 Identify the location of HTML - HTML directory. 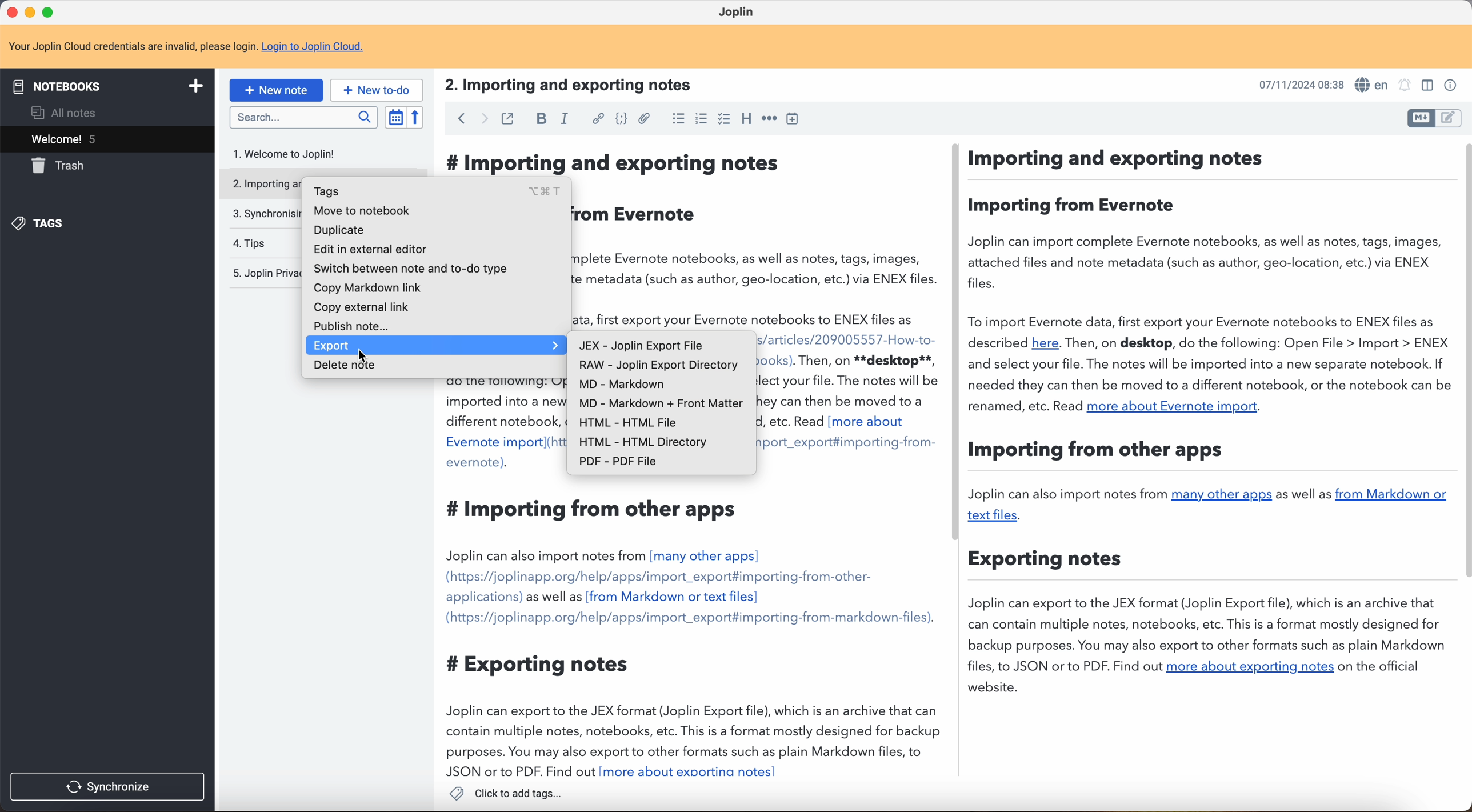
(640, 444).